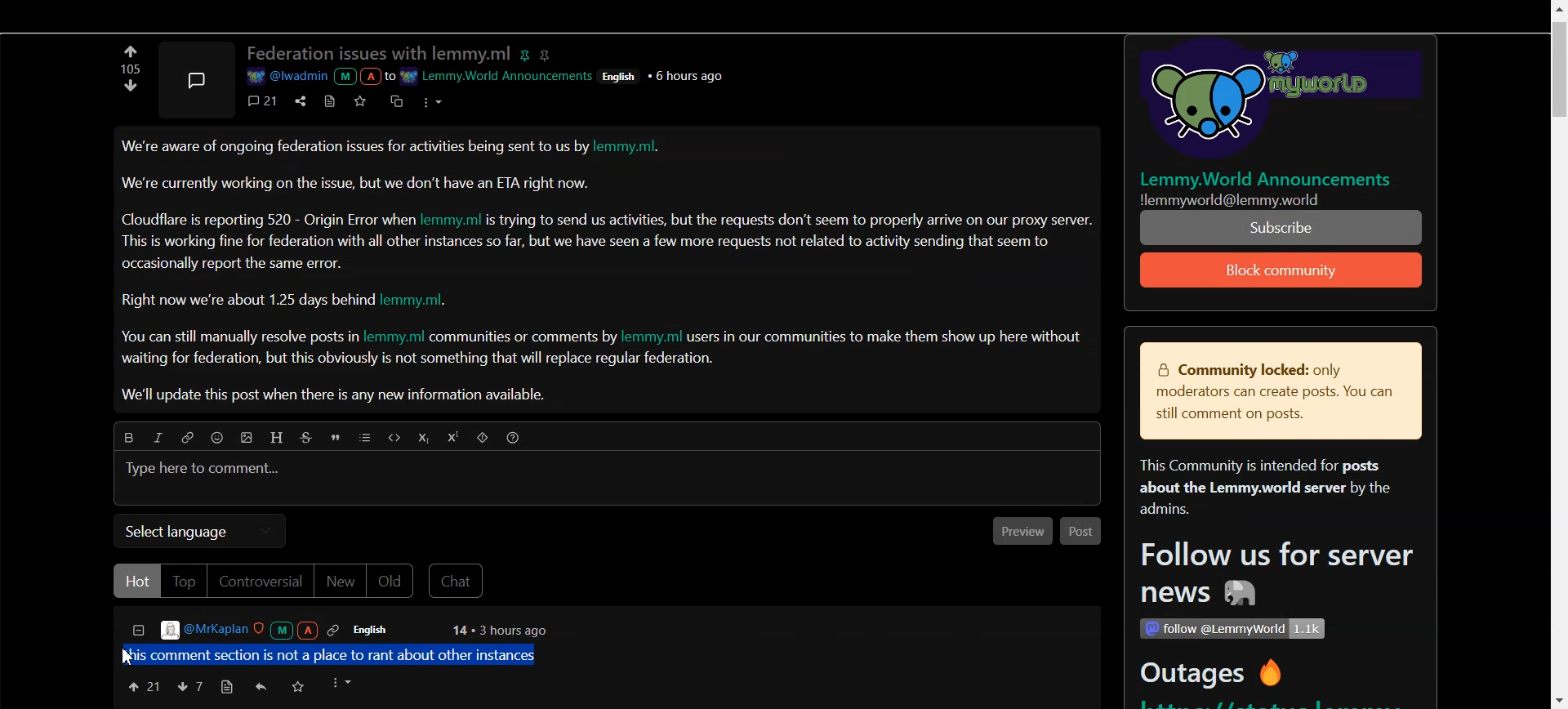 Image resolution: width=1568 pixels, height=709 pixels. I want to click on save, so click(300, 689).